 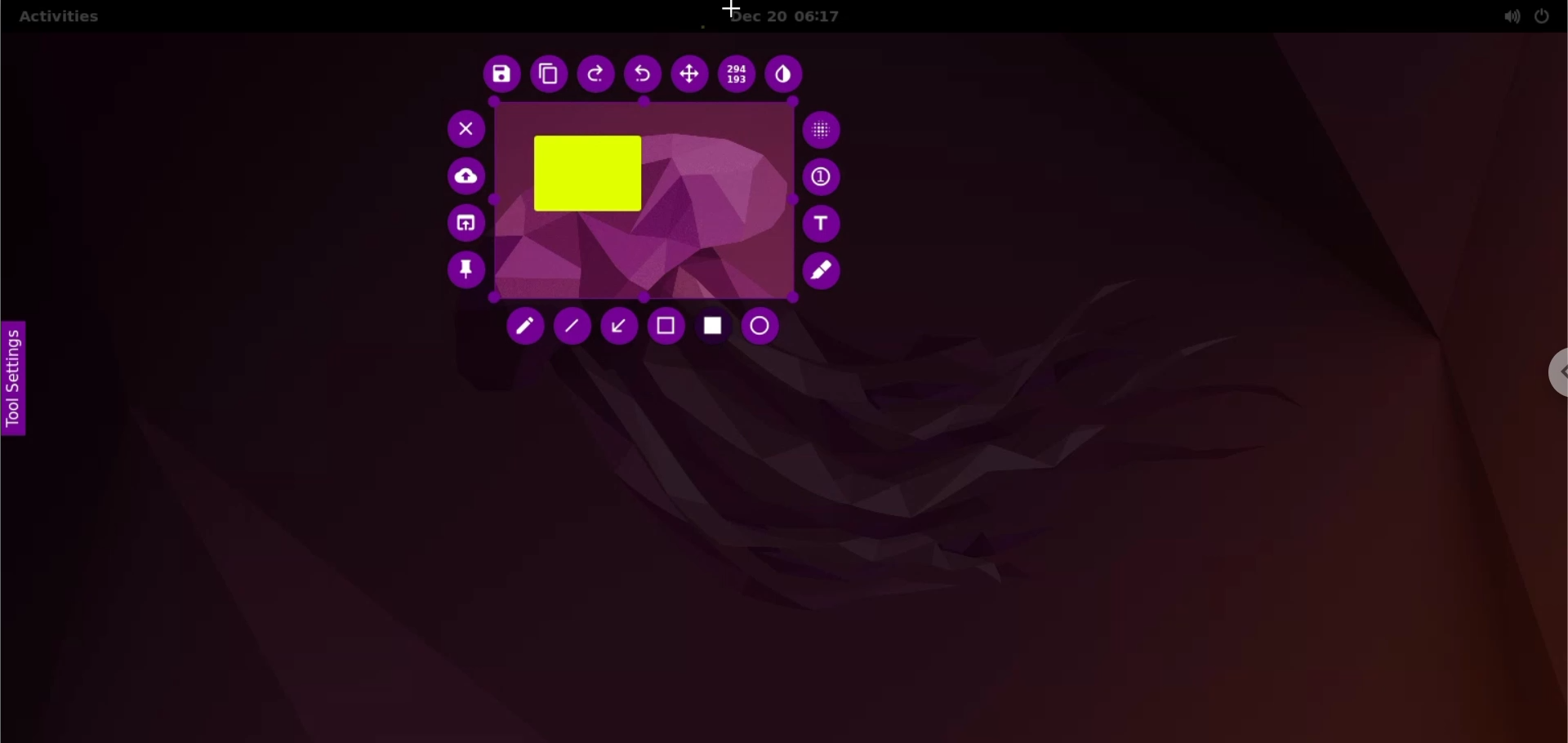 I want to click on pixellete, so click(x=824, y=130).